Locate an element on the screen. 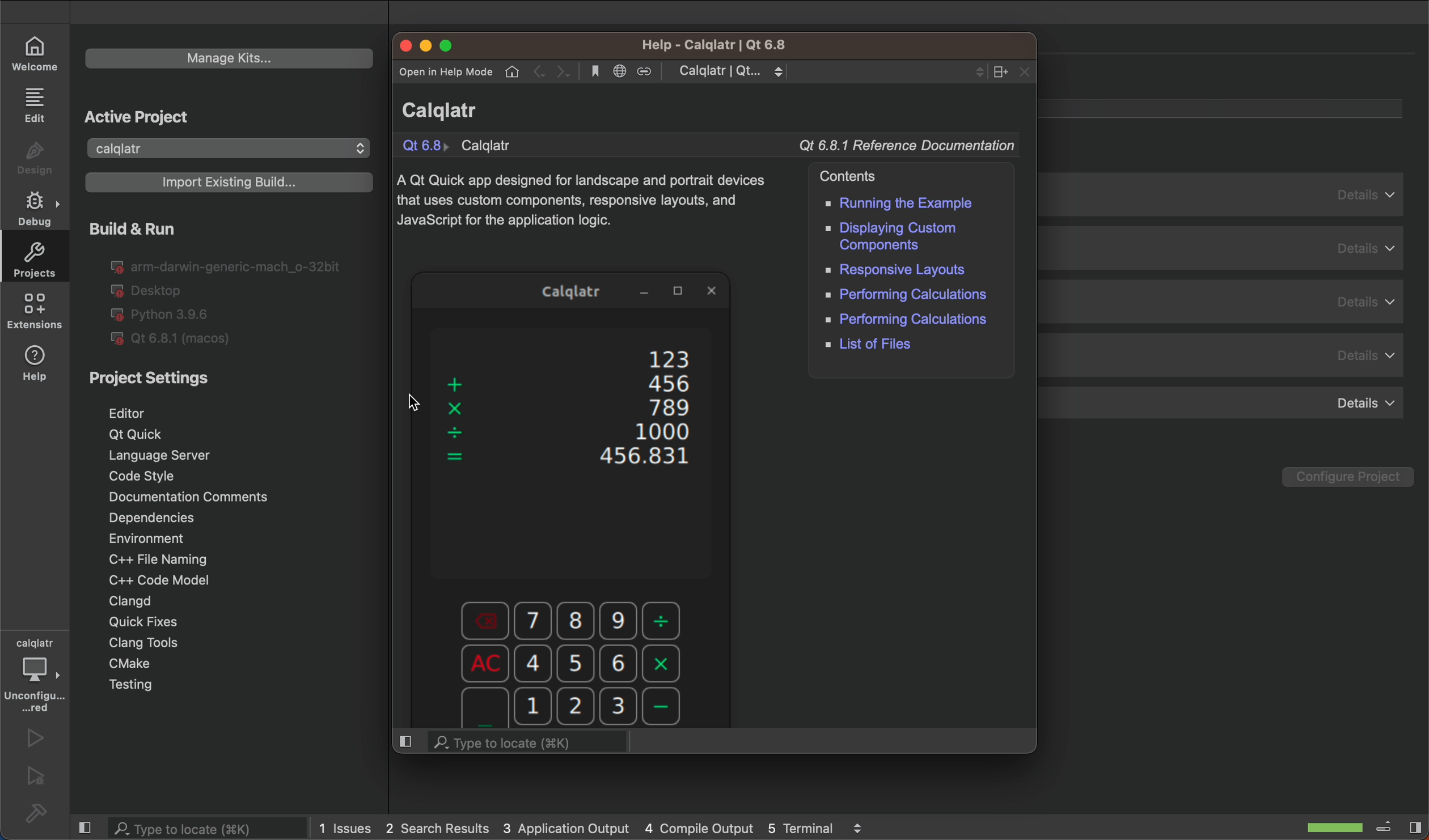  create is located at coordinates (164, 113).